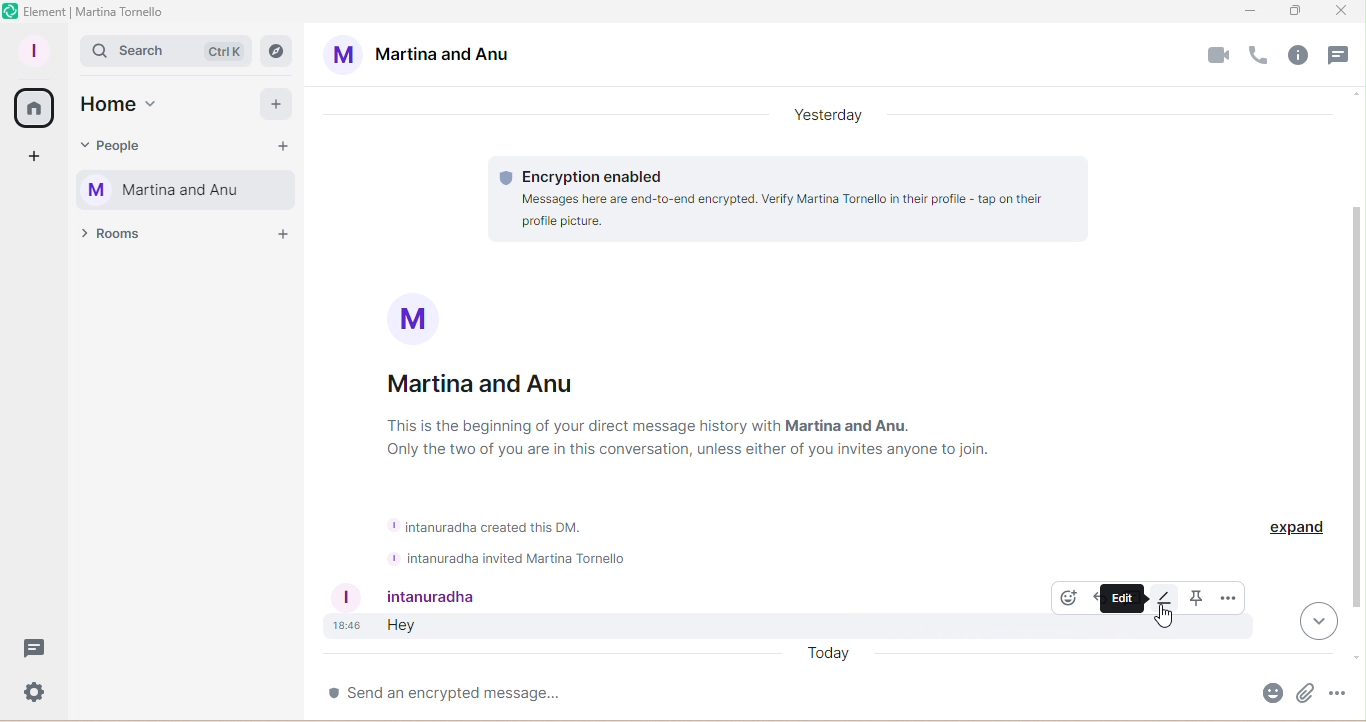  What do you see at coordinates (190, 191) in the screenshot?
I see `Martina Tornello` at bounding box center [190, 191].